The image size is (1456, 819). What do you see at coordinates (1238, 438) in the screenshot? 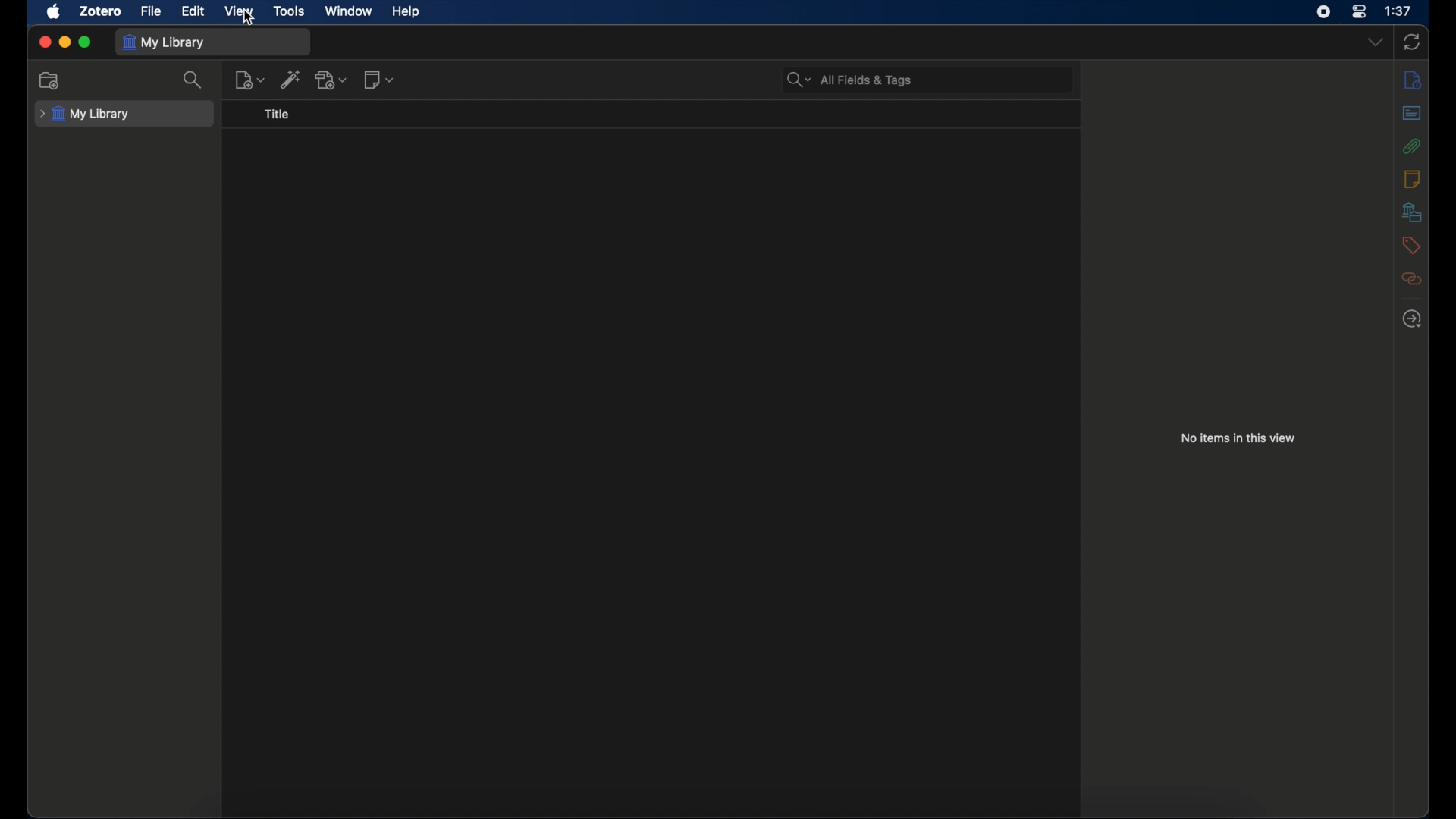
I see `no items in this view` at bounding box center [1238, 438].